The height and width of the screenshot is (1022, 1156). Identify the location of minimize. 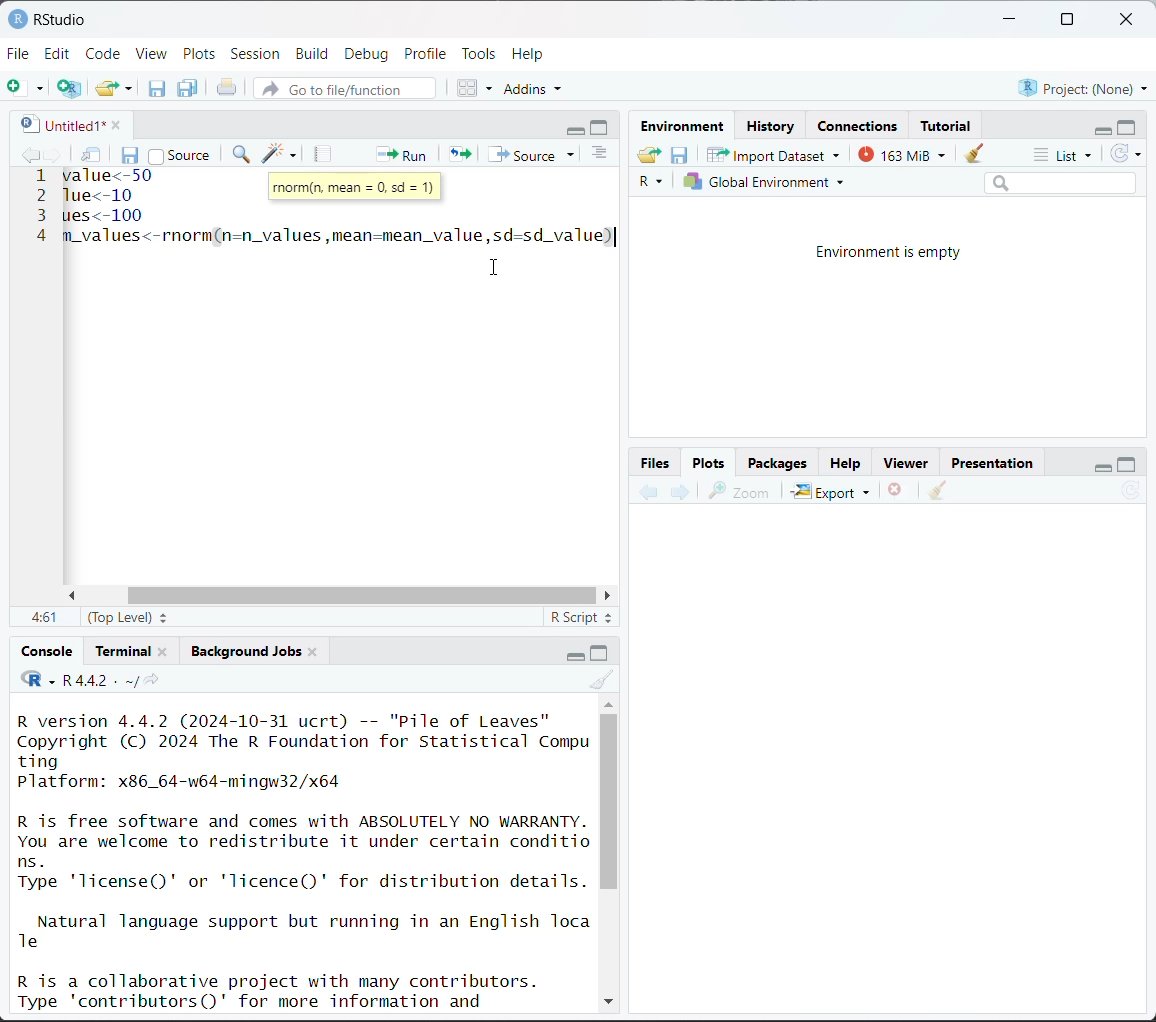
(576, 128).